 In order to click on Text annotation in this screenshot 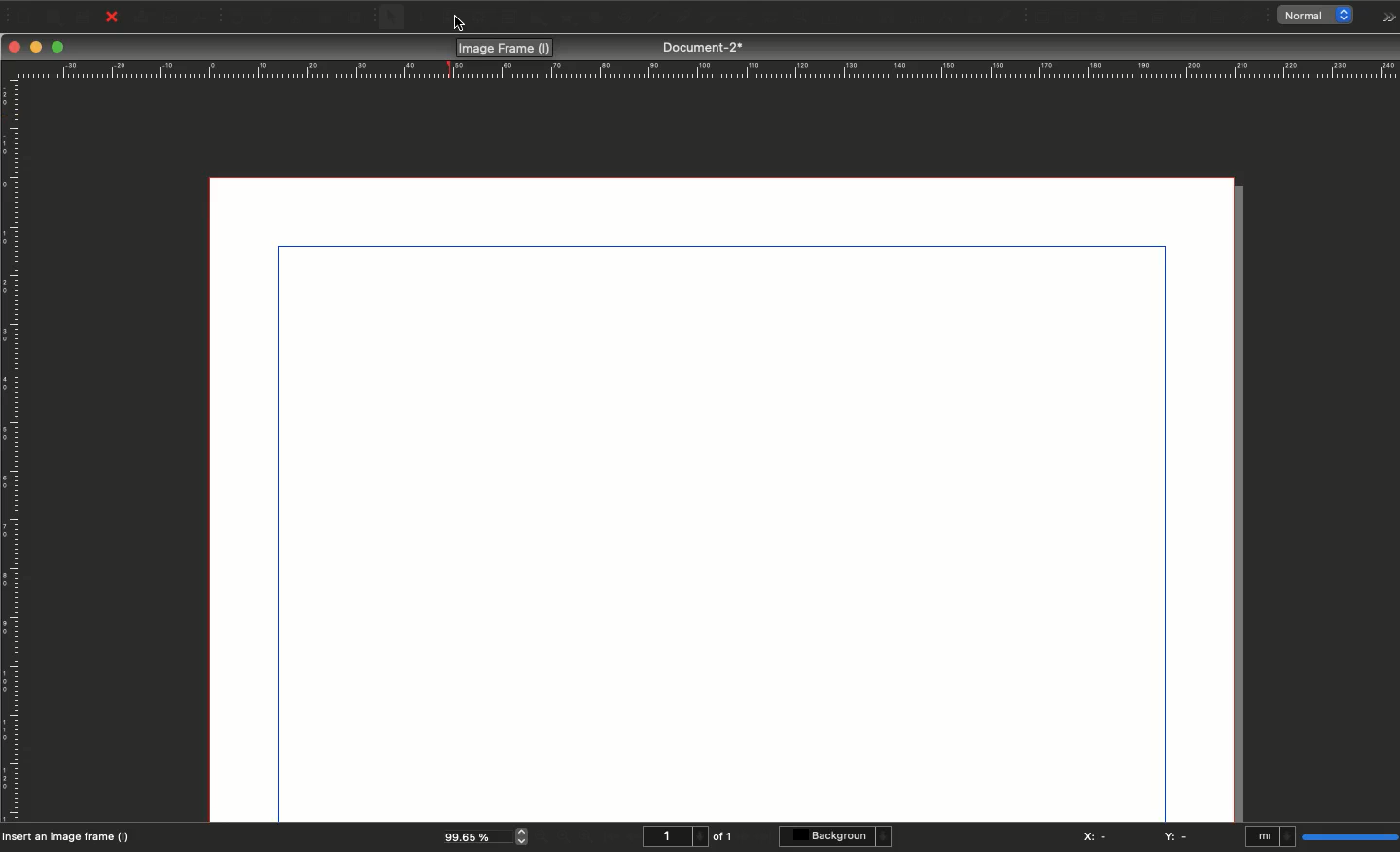, I will do `click(1220, 18)`.